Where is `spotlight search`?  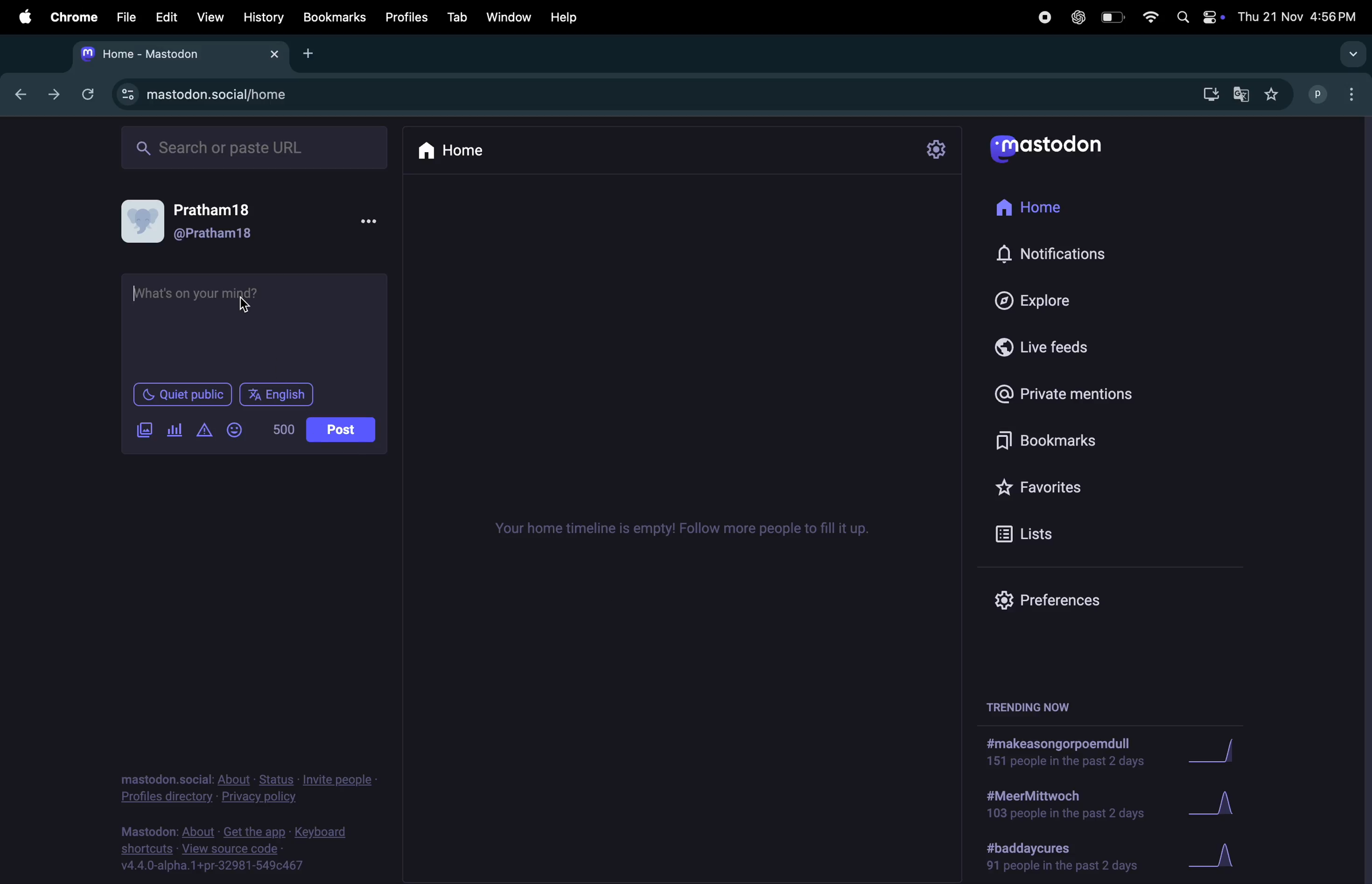 spotlight search is located at coordinates (1181, 18).